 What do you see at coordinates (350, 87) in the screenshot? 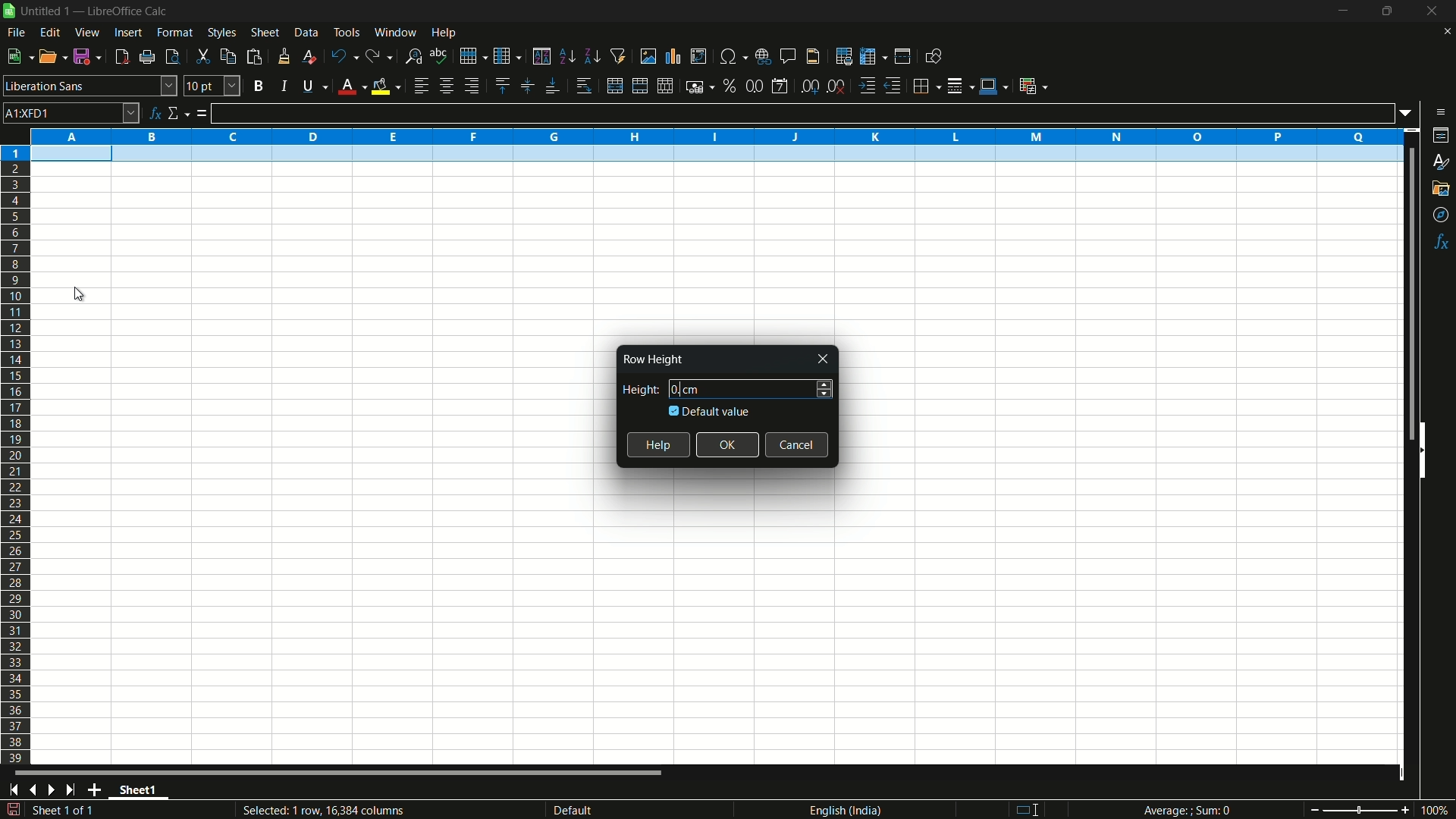
I see `font color` at bounding box center [350, 87].